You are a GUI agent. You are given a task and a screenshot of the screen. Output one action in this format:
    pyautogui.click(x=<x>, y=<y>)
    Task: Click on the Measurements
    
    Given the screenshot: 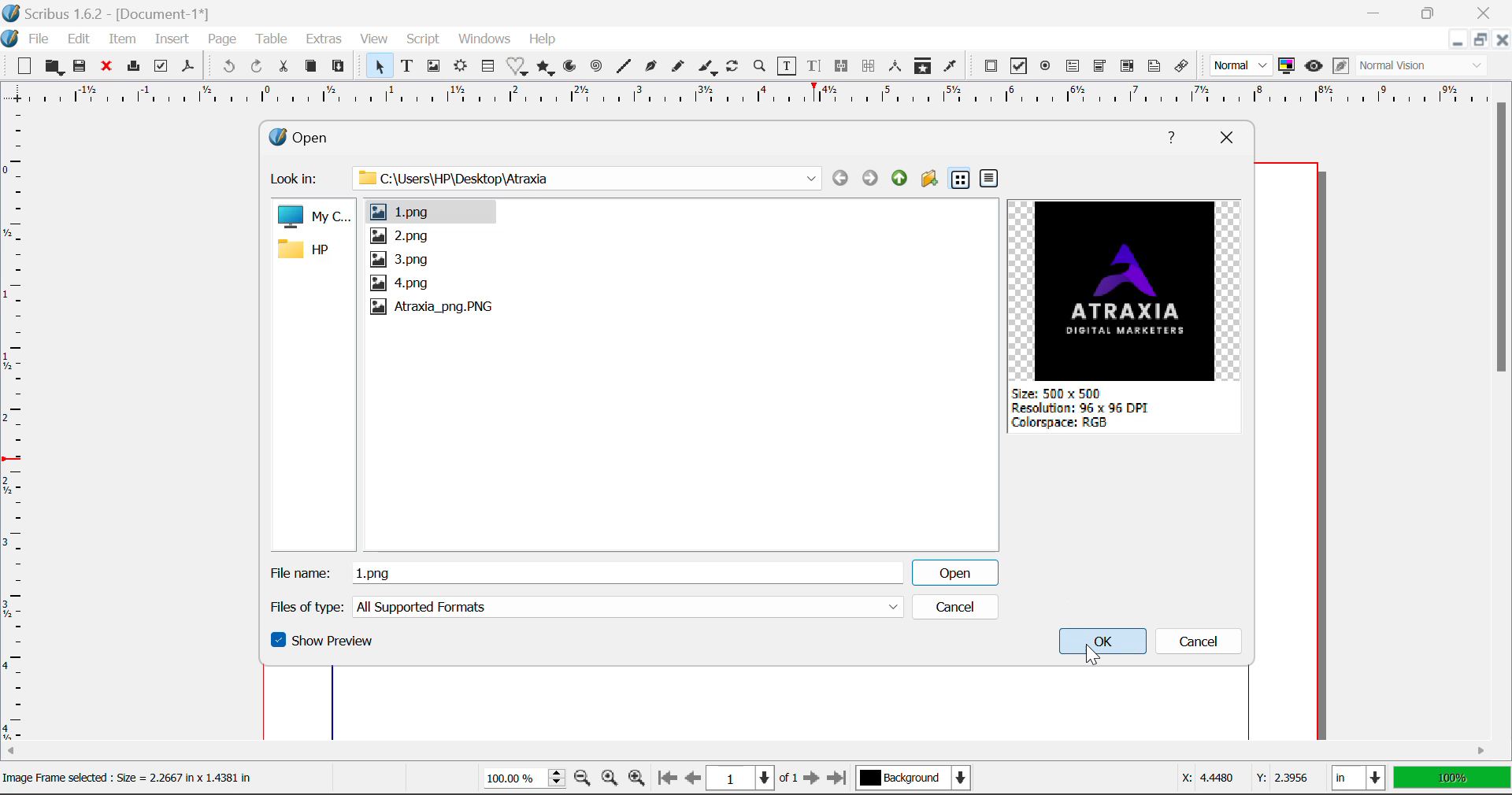 What is the action you would take?
    pyautogui.click(x=897, y=67)
    